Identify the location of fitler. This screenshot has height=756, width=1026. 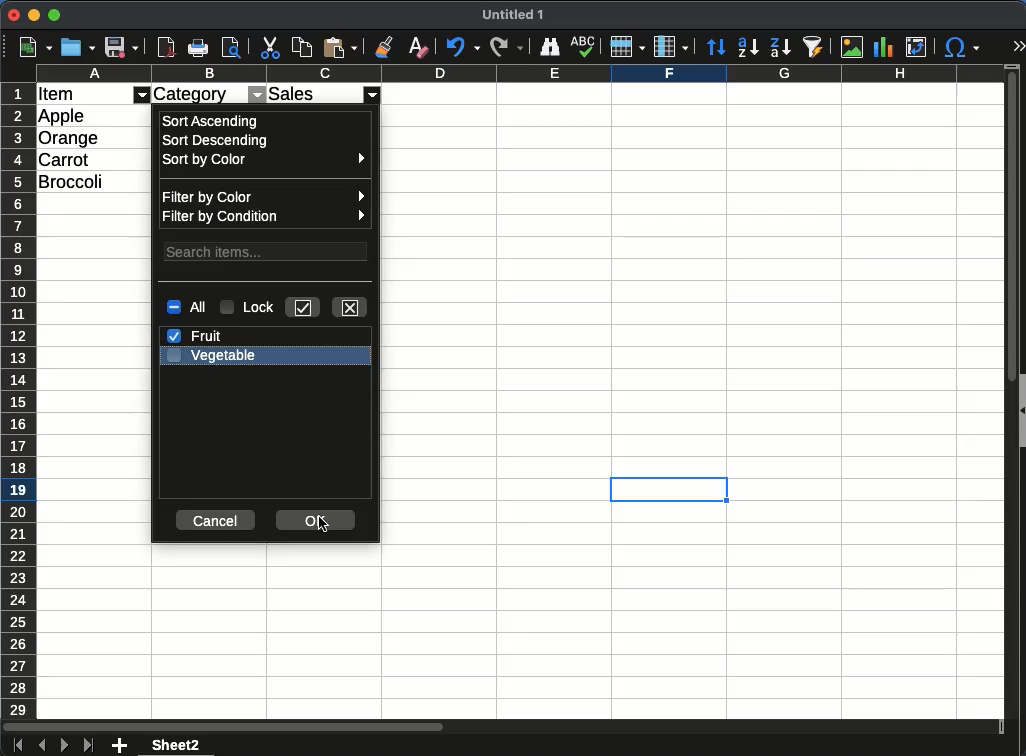
(256, 94).